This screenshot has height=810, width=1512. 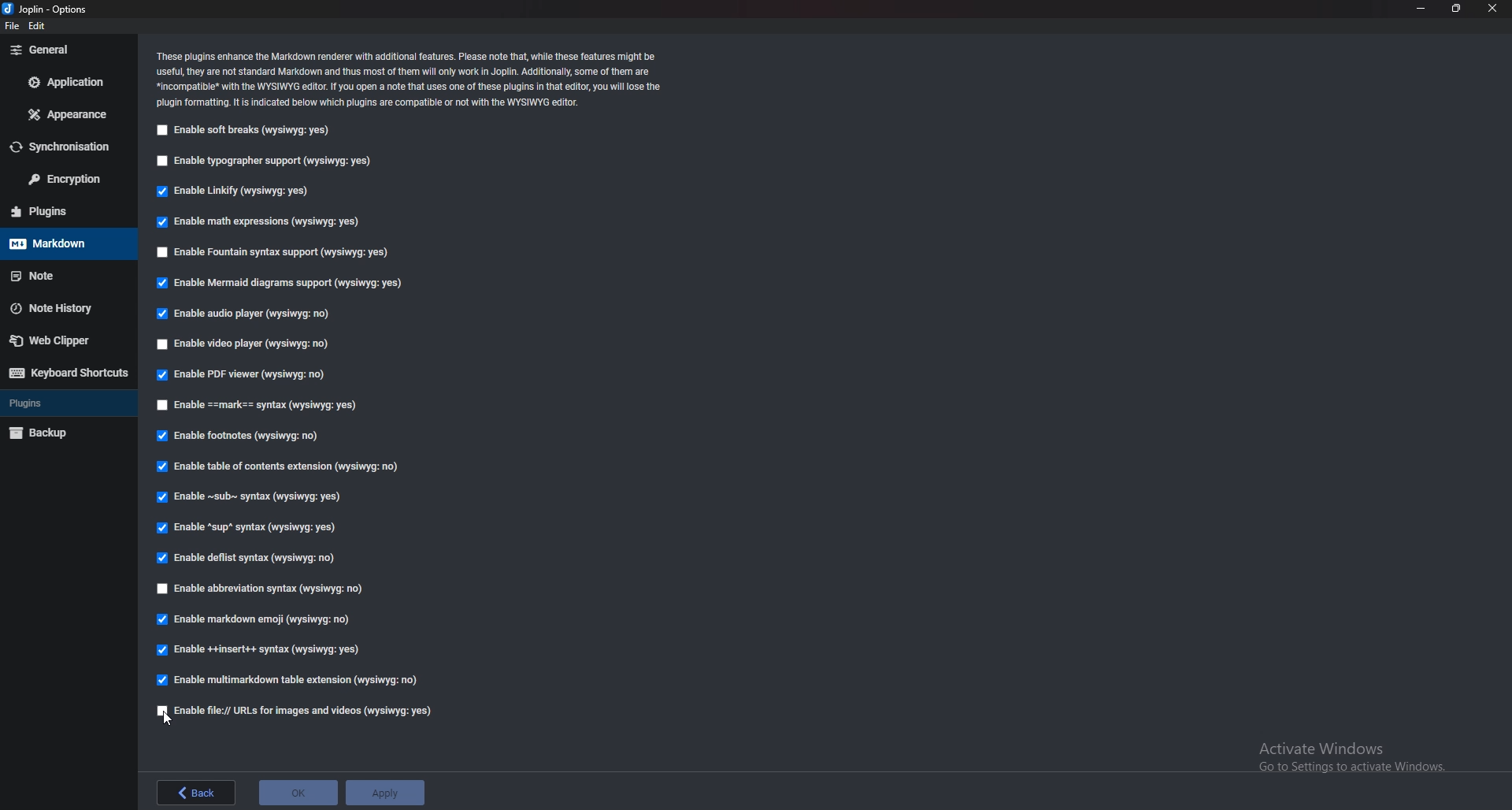 What do you see at coordinates (290, 678) in the screenshot?
I see `enable multi markdown table extension` at bounding box center [290, 678].